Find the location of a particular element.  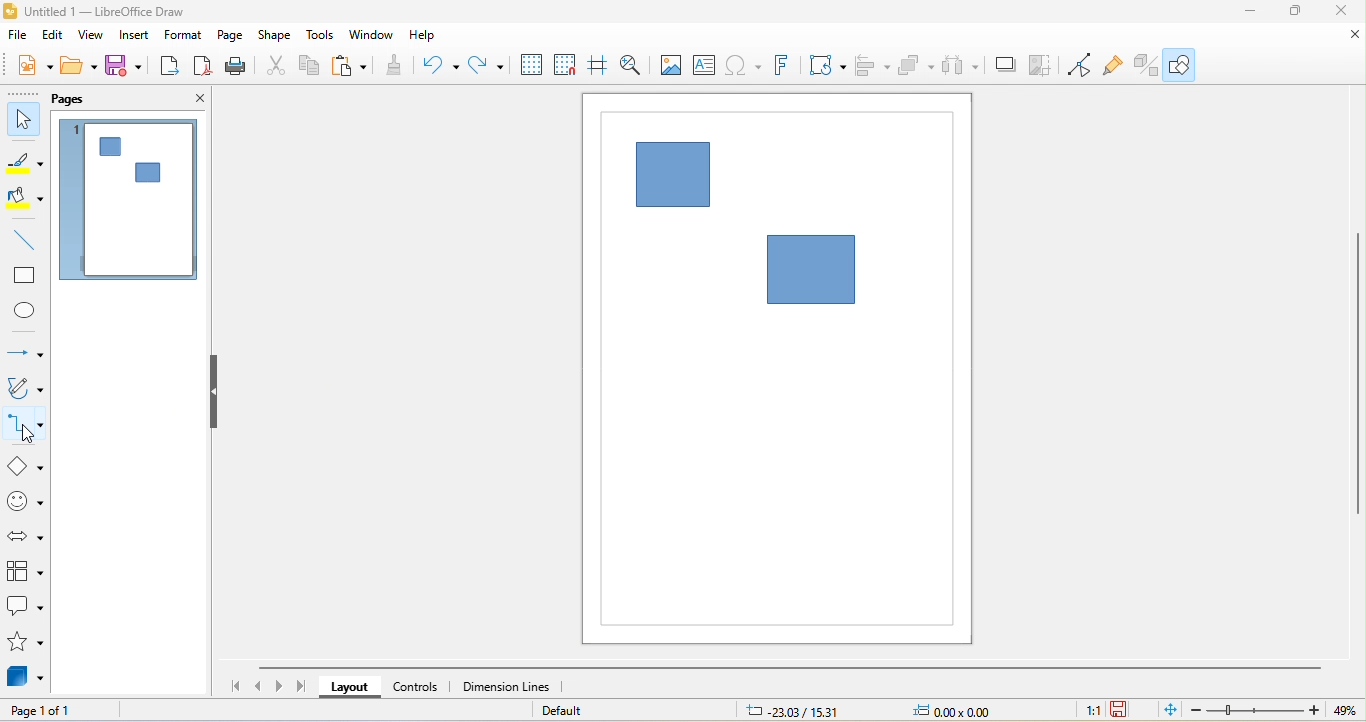

paste is located at coordinates (354, 66).